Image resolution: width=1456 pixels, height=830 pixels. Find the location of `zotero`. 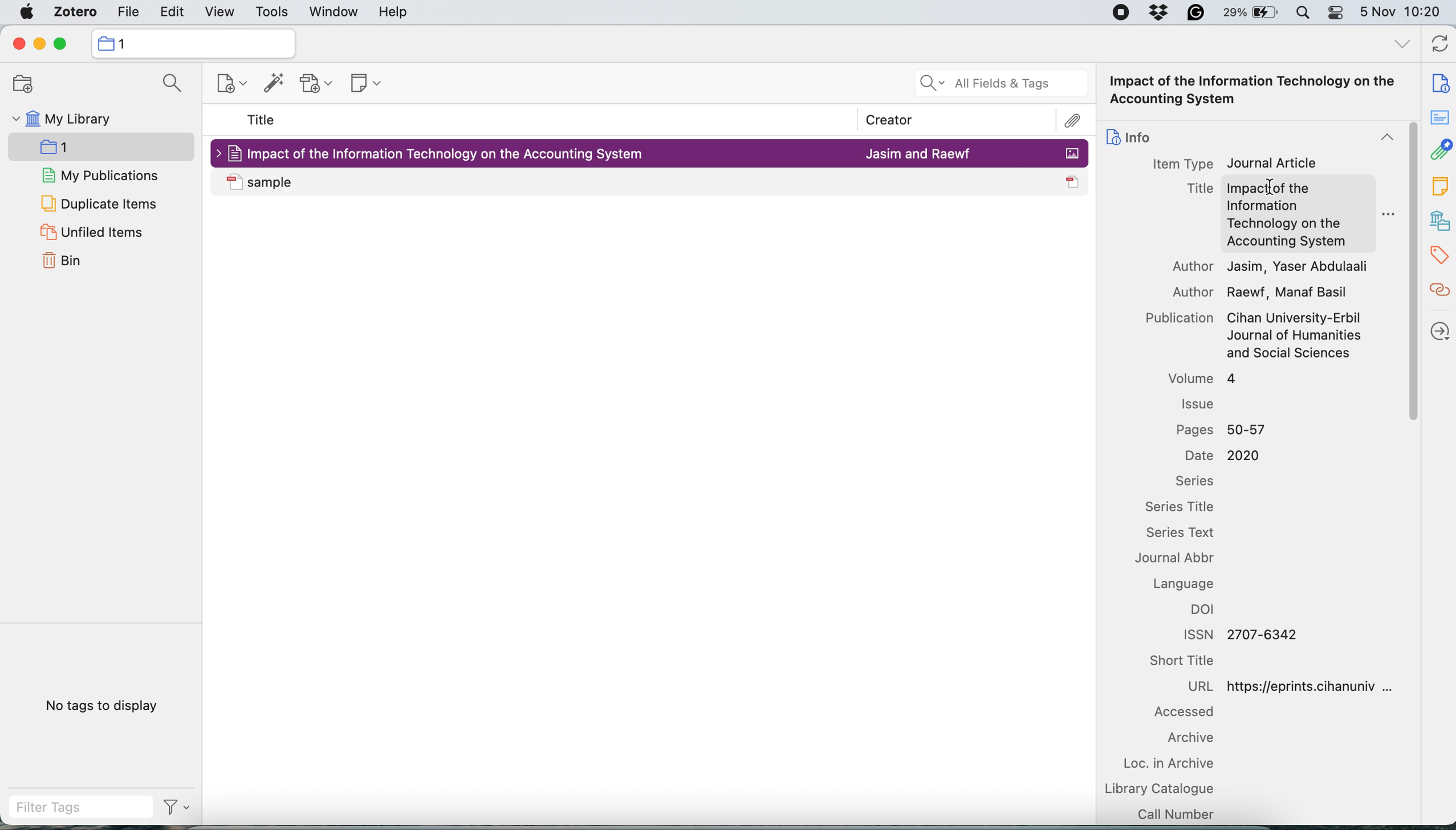

zotero is located at coordinates (72, 13).